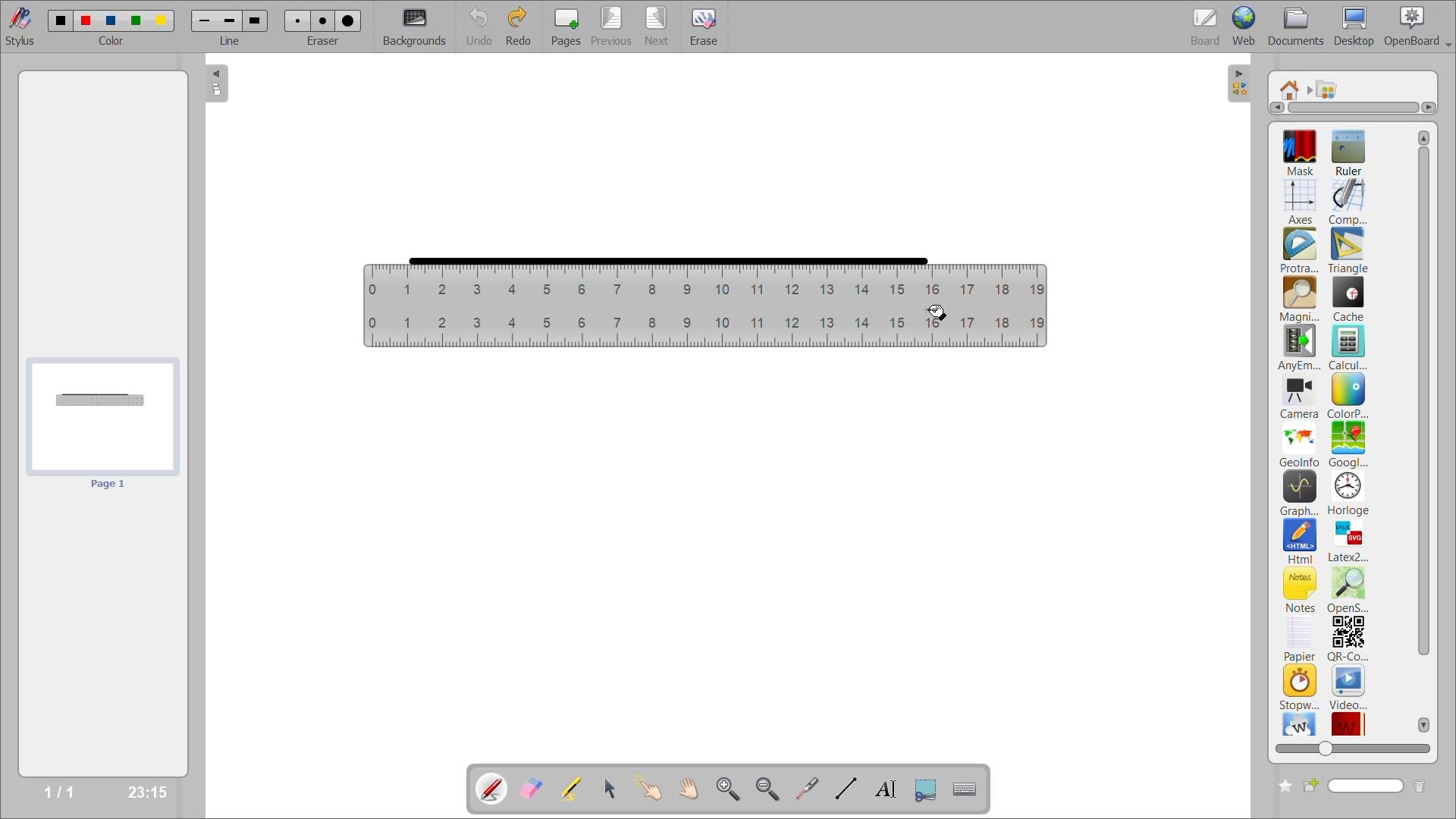 The image size is (1456, 819). Describe the element at coordinates (929, 788) in the screenshot. I see `capture part of the screen` at that location.